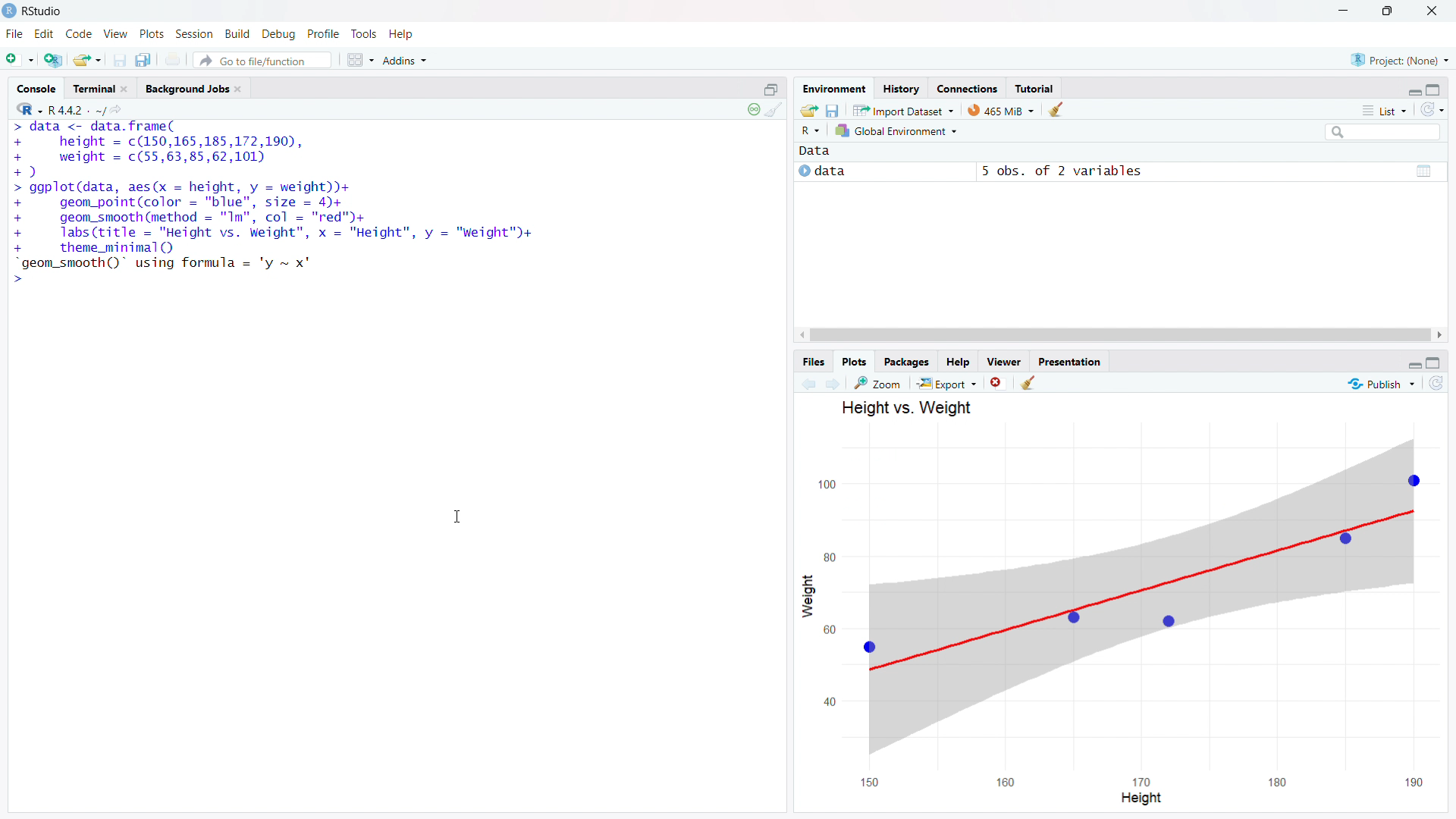 This screenshot has width=1456, height=819. Describe the element at coordinates (457, 517) in the screenshot. I see `cursor` at that location.